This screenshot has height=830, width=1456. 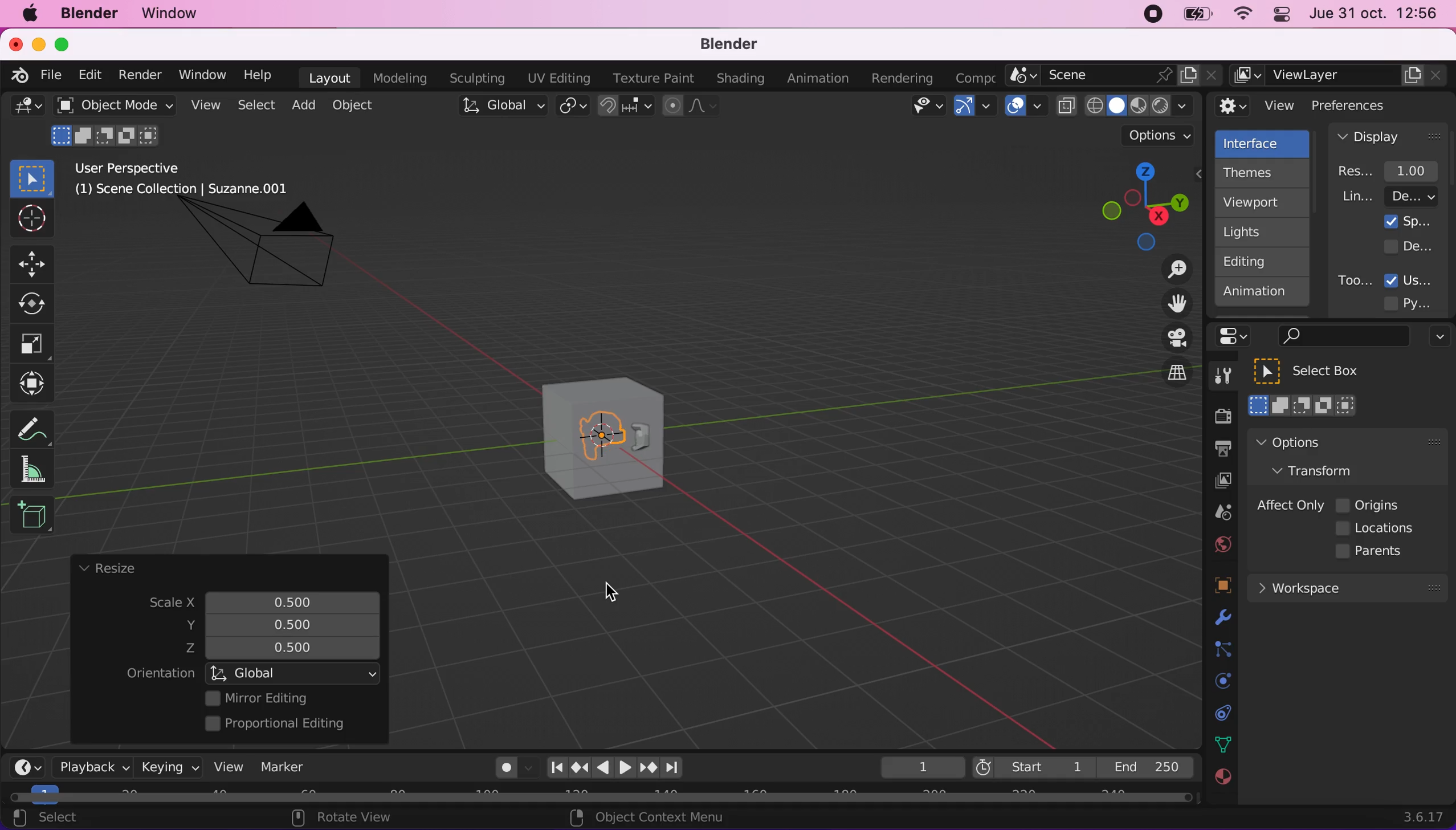 I want to click on annotate, so click(x=37, y=426).